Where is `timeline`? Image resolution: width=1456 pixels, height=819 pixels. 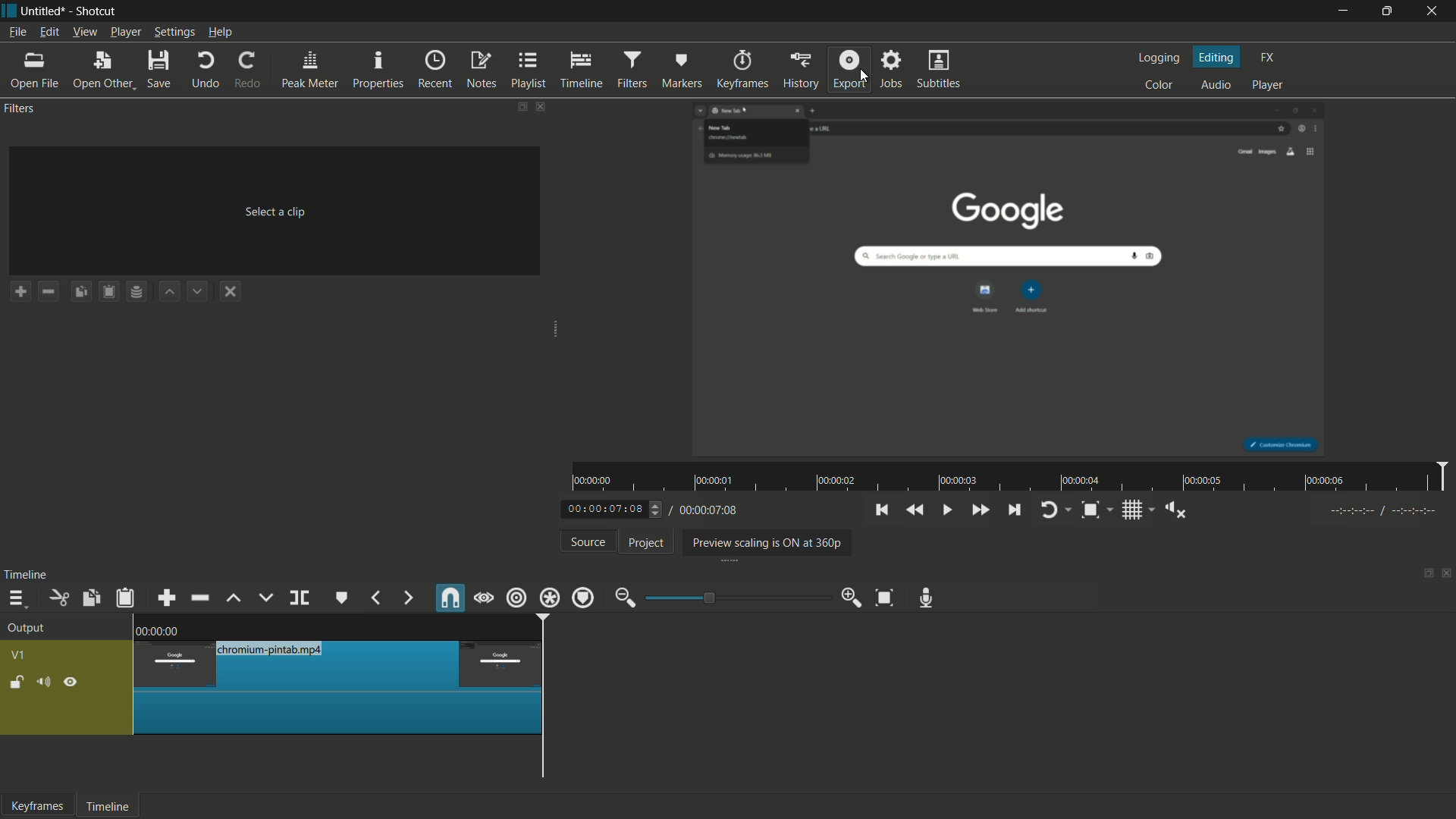
timeline is located at coordinates (26, 575).